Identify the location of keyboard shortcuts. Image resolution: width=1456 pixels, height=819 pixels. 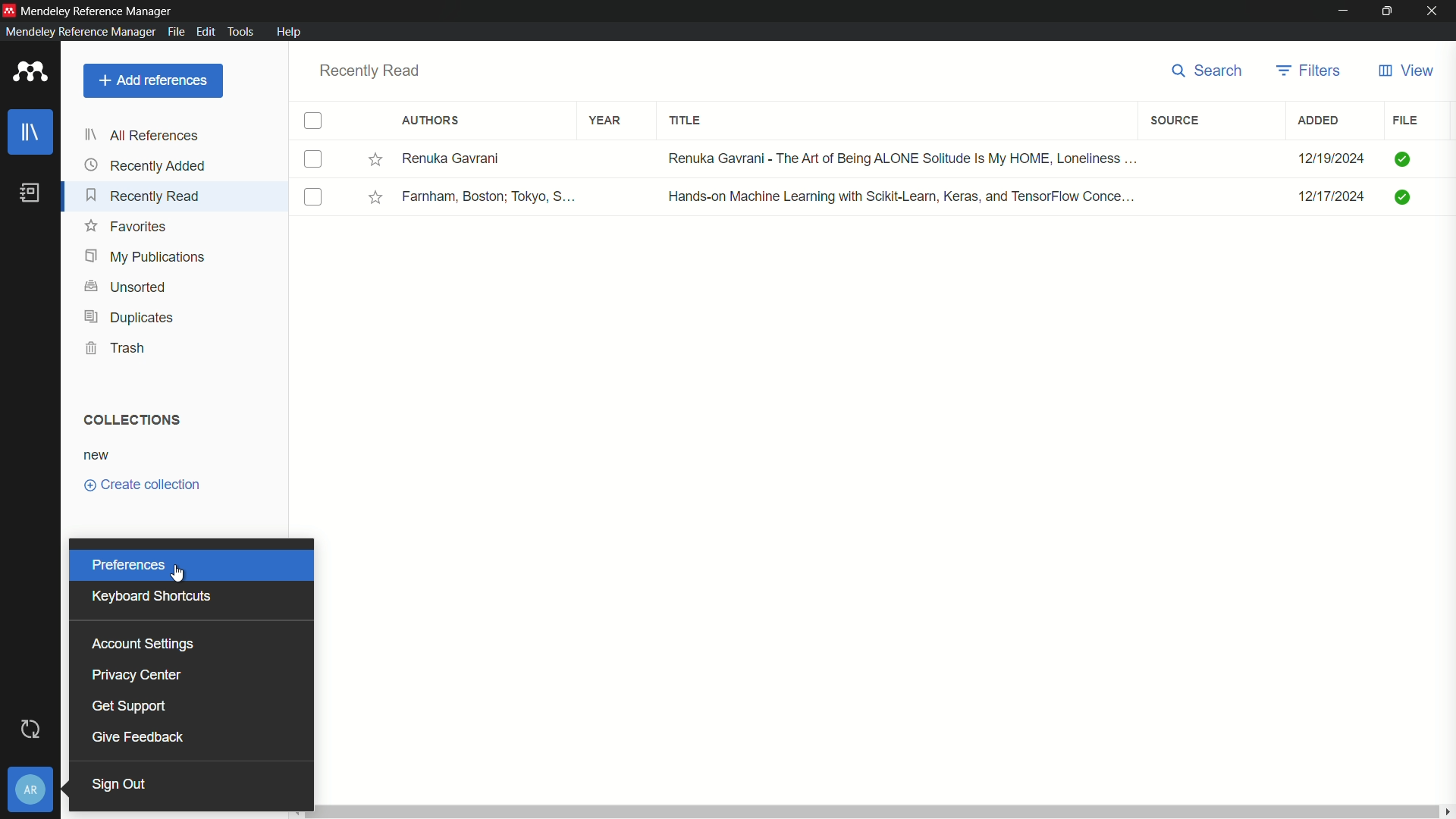
(152, 595).